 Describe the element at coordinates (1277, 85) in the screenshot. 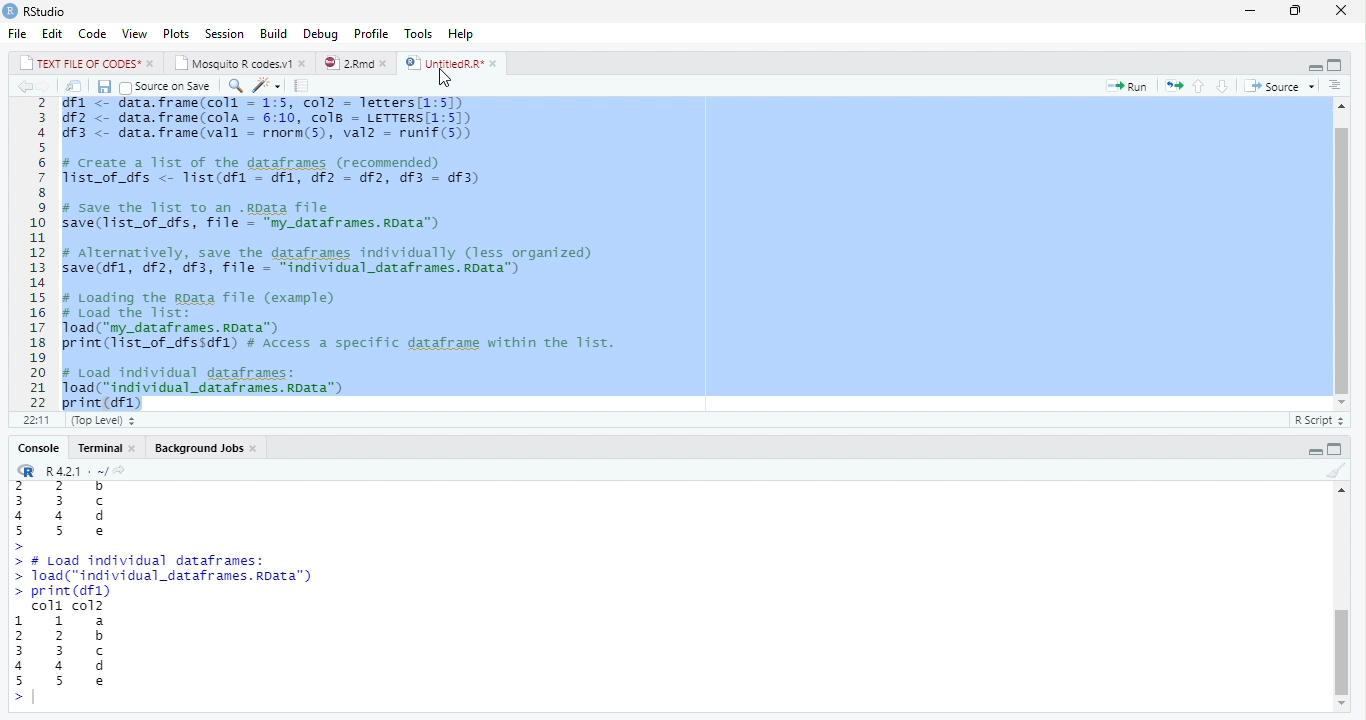

I see `Source` at that location.